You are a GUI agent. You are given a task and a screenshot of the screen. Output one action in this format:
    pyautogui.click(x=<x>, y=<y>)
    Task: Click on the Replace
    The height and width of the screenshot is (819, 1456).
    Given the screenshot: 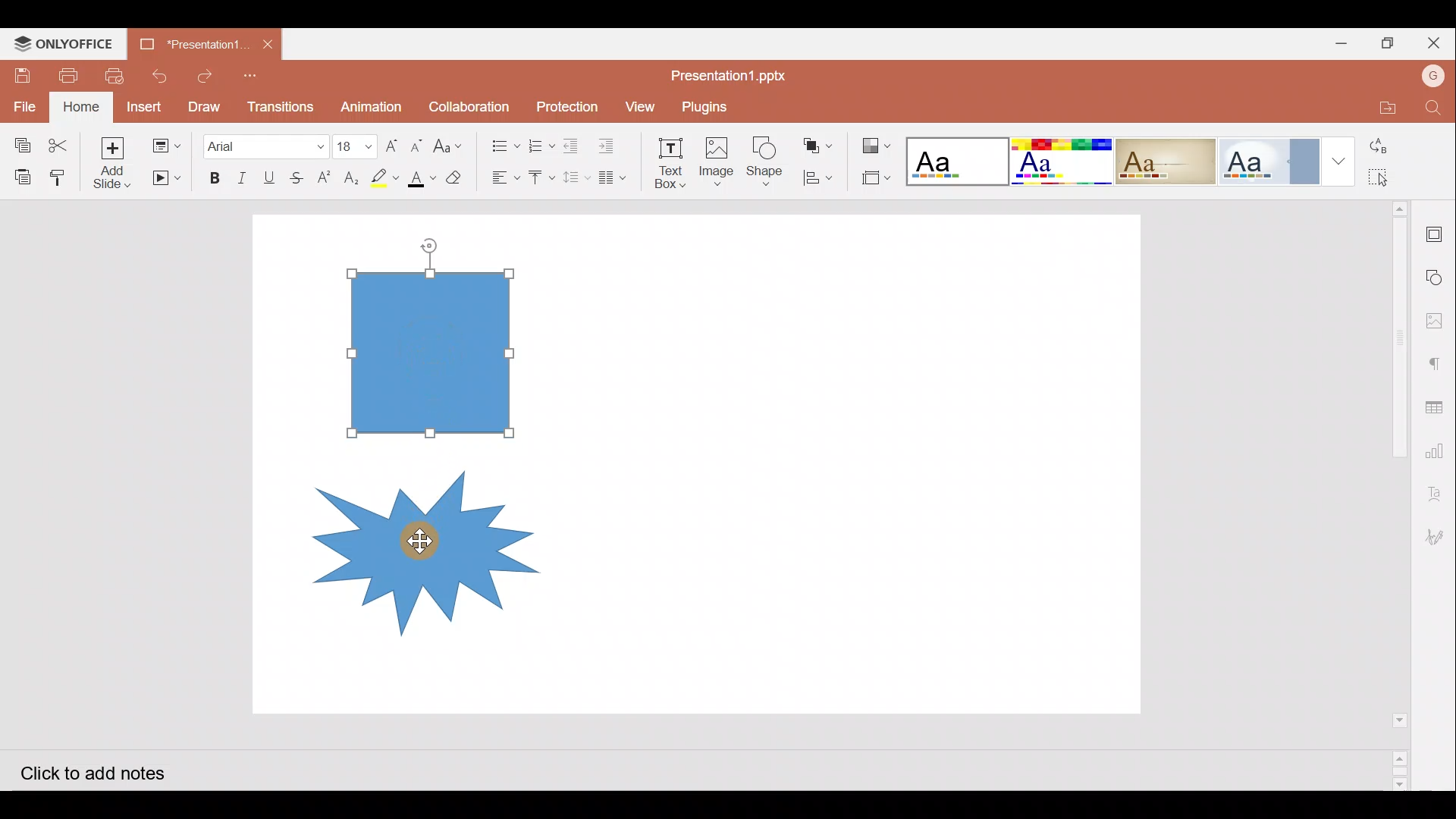 What is the action you would take?
    pyautogui.click(x=1389, y=147)
    